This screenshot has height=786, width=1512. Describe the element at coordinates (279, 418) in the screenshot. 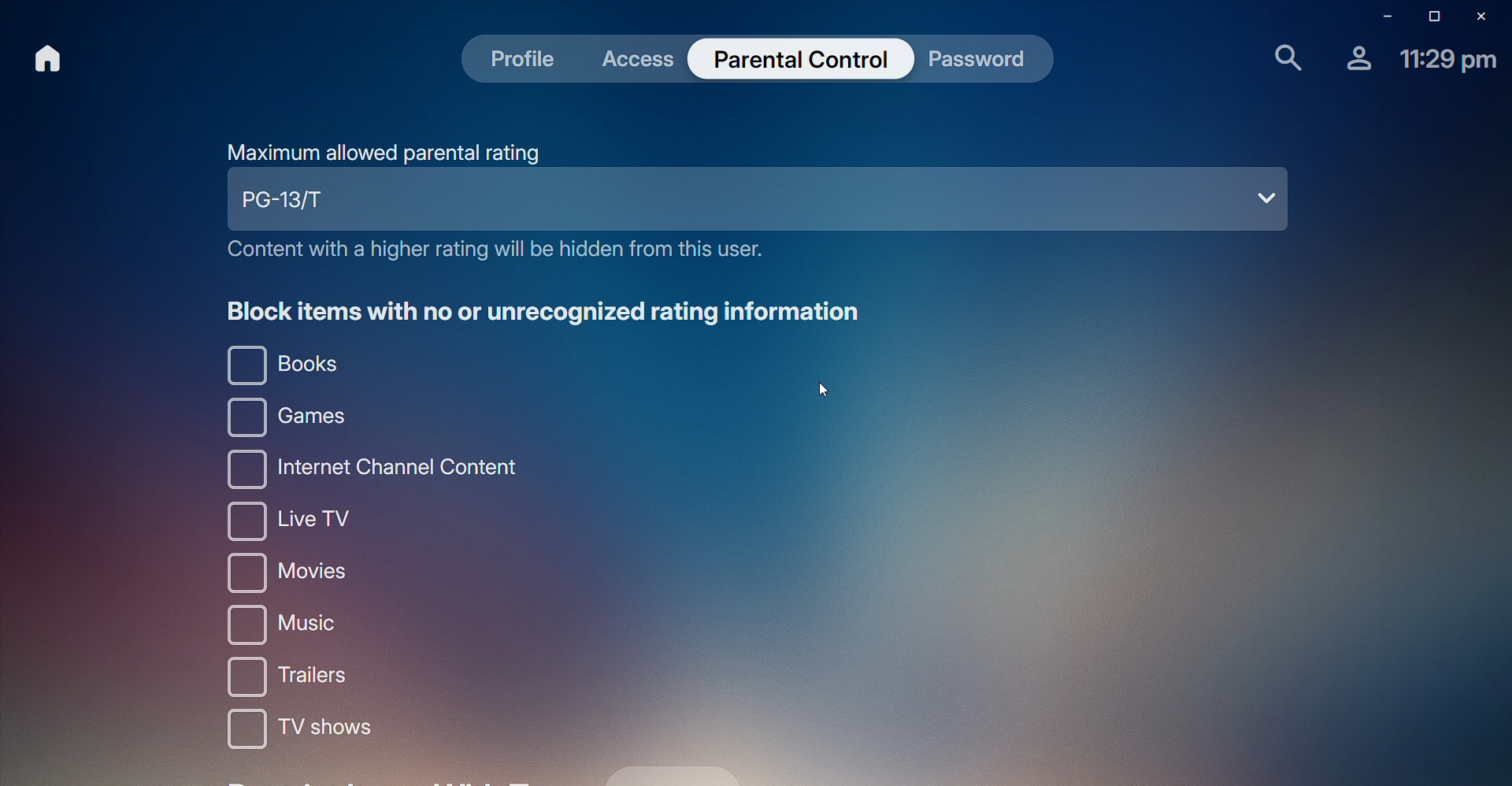

I see `Games` at that location.